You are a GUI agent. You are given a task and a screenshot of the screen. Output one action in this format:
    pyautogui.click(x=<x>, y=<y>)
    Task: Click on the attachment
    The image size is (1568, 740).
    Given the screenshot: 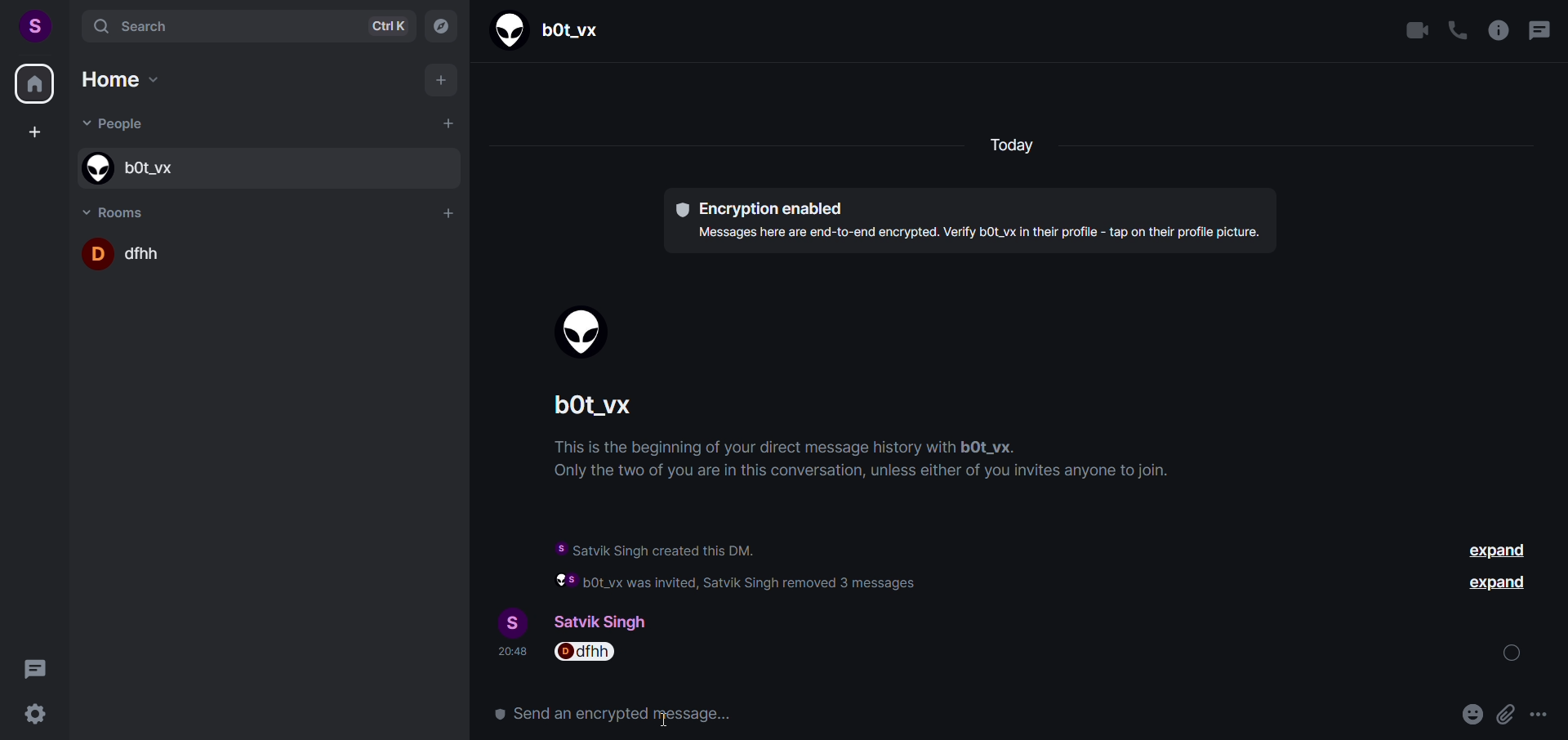 What is the action you would take?
    pyautogui.click(x=1467, y=715)
    